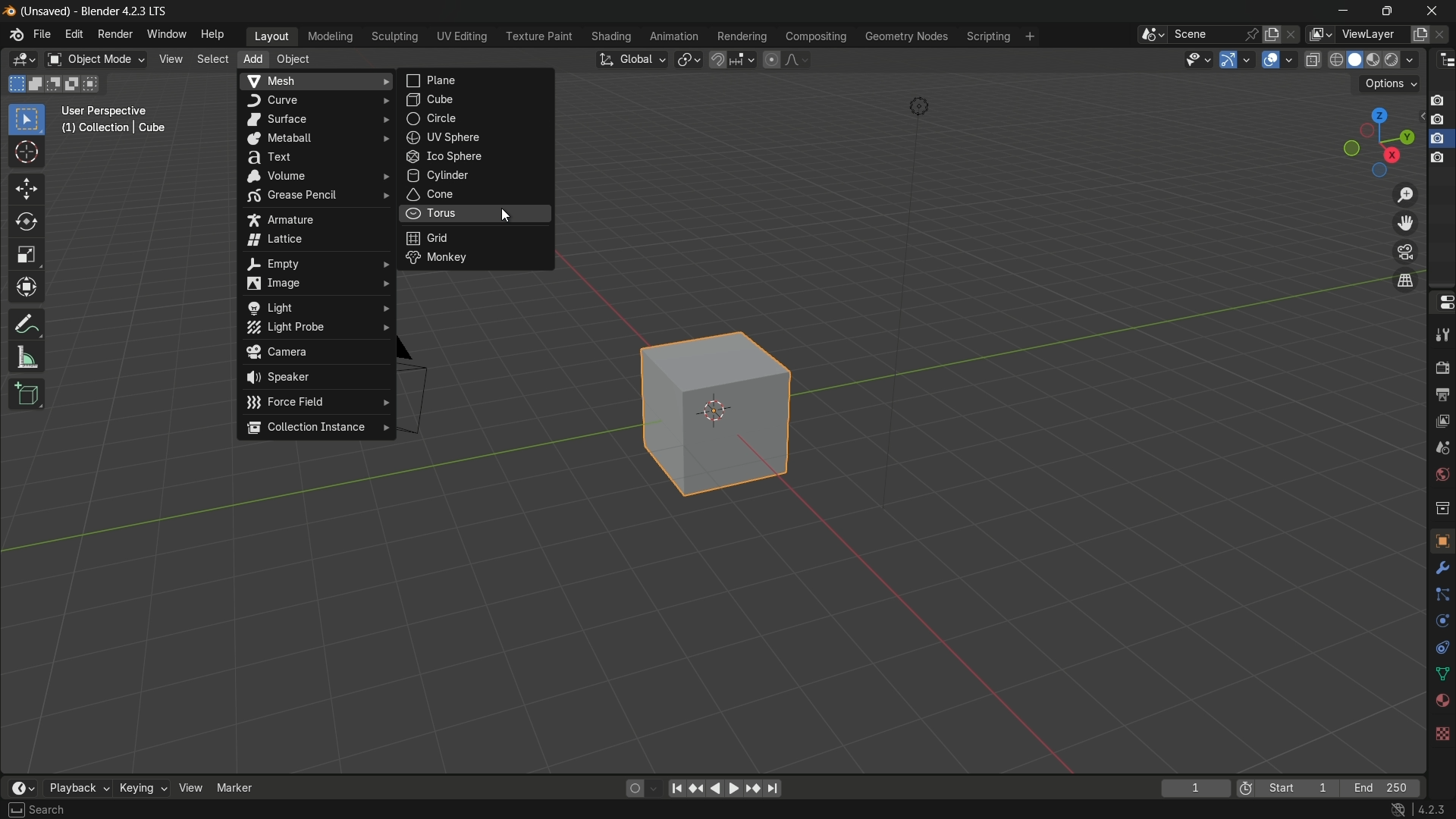  Describe the element at coordinates (27, 324) in the screenshot. I see `annotate` at that location.